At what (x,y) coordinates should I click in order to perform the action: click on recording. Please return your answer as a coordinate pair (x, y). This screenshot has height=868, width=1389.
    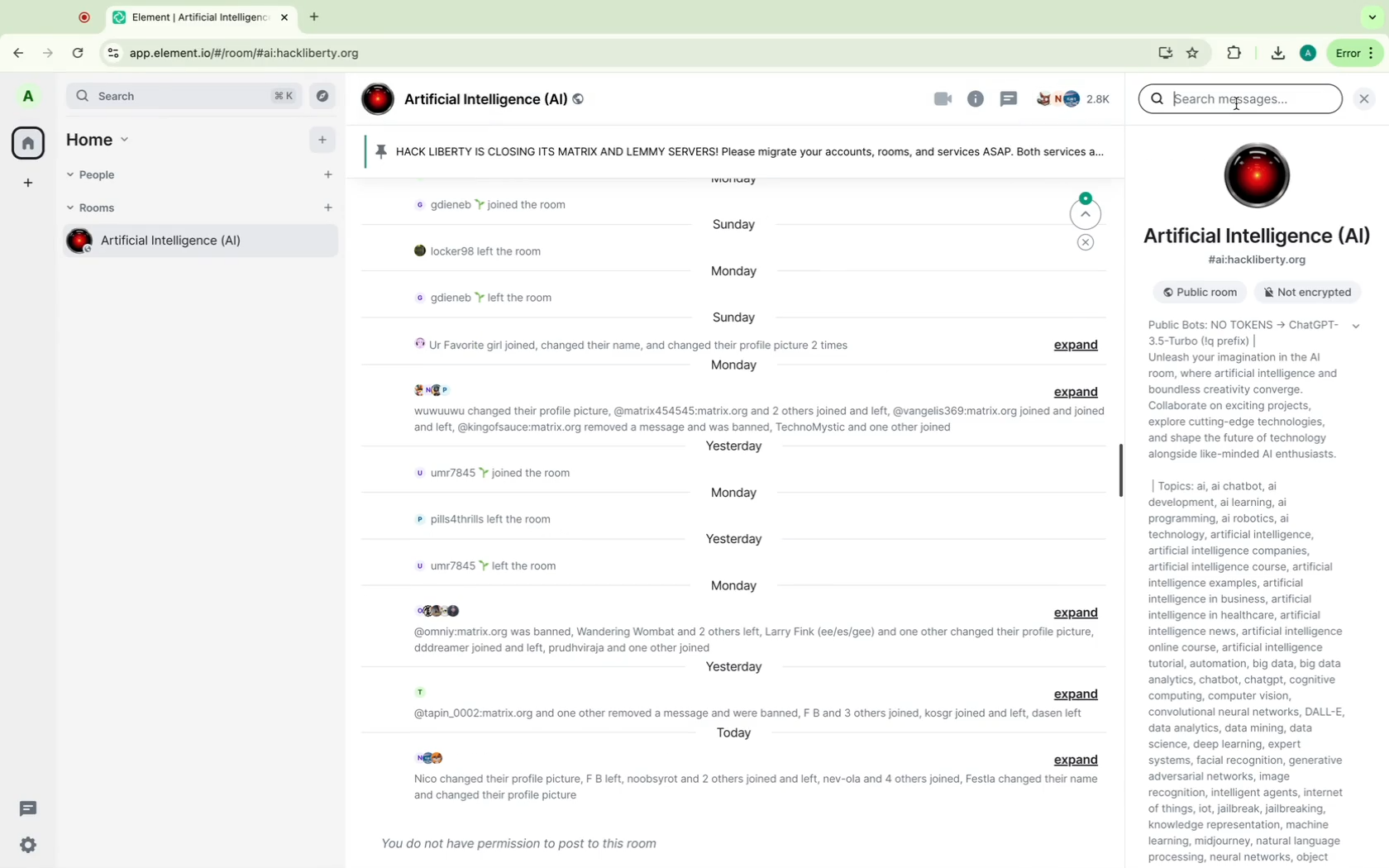
    Looking at the image, I should click on (85, 17).